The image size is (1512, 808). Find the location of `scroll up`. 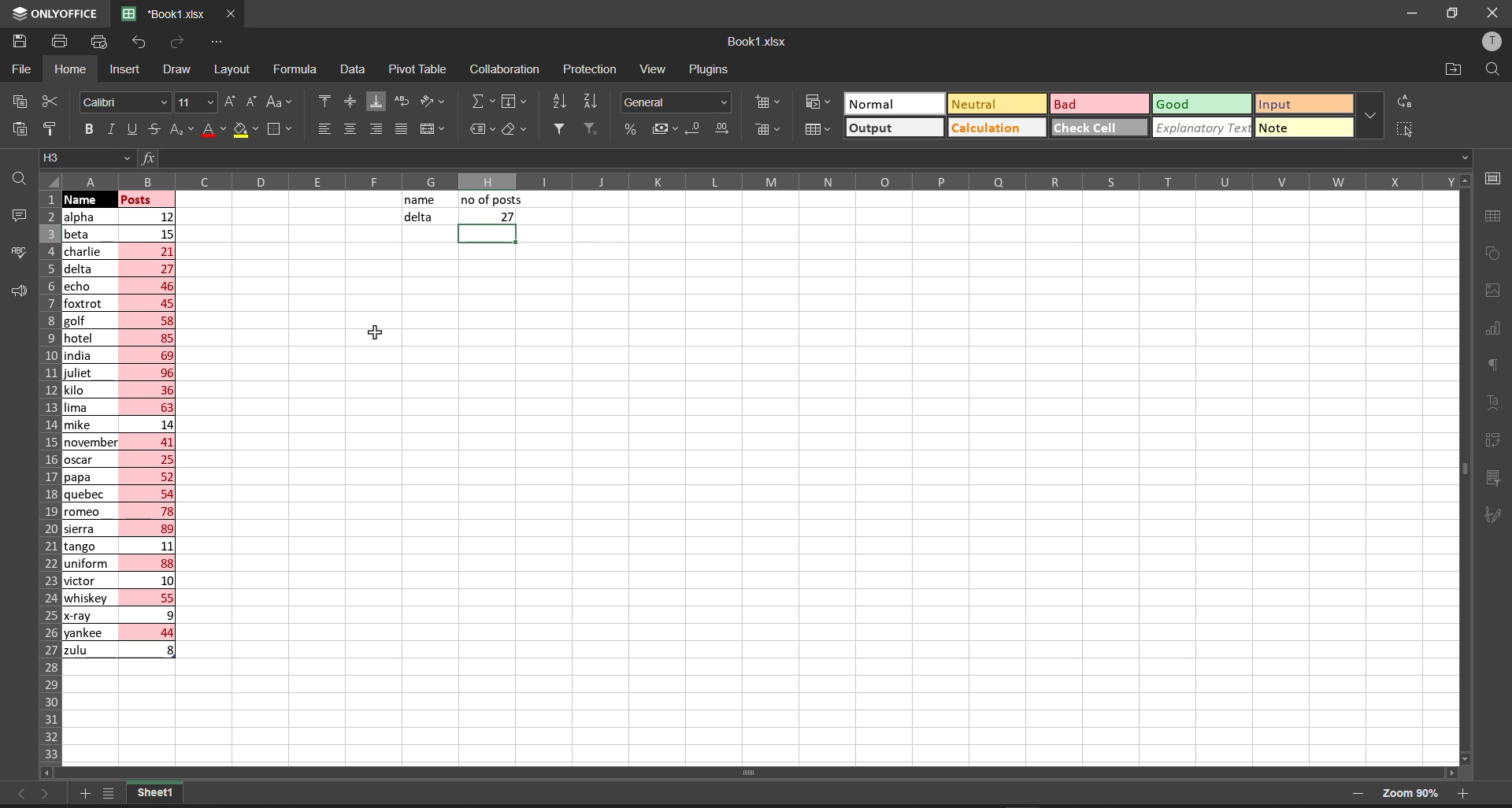

scroll up is located at coordinates (1461, 180).